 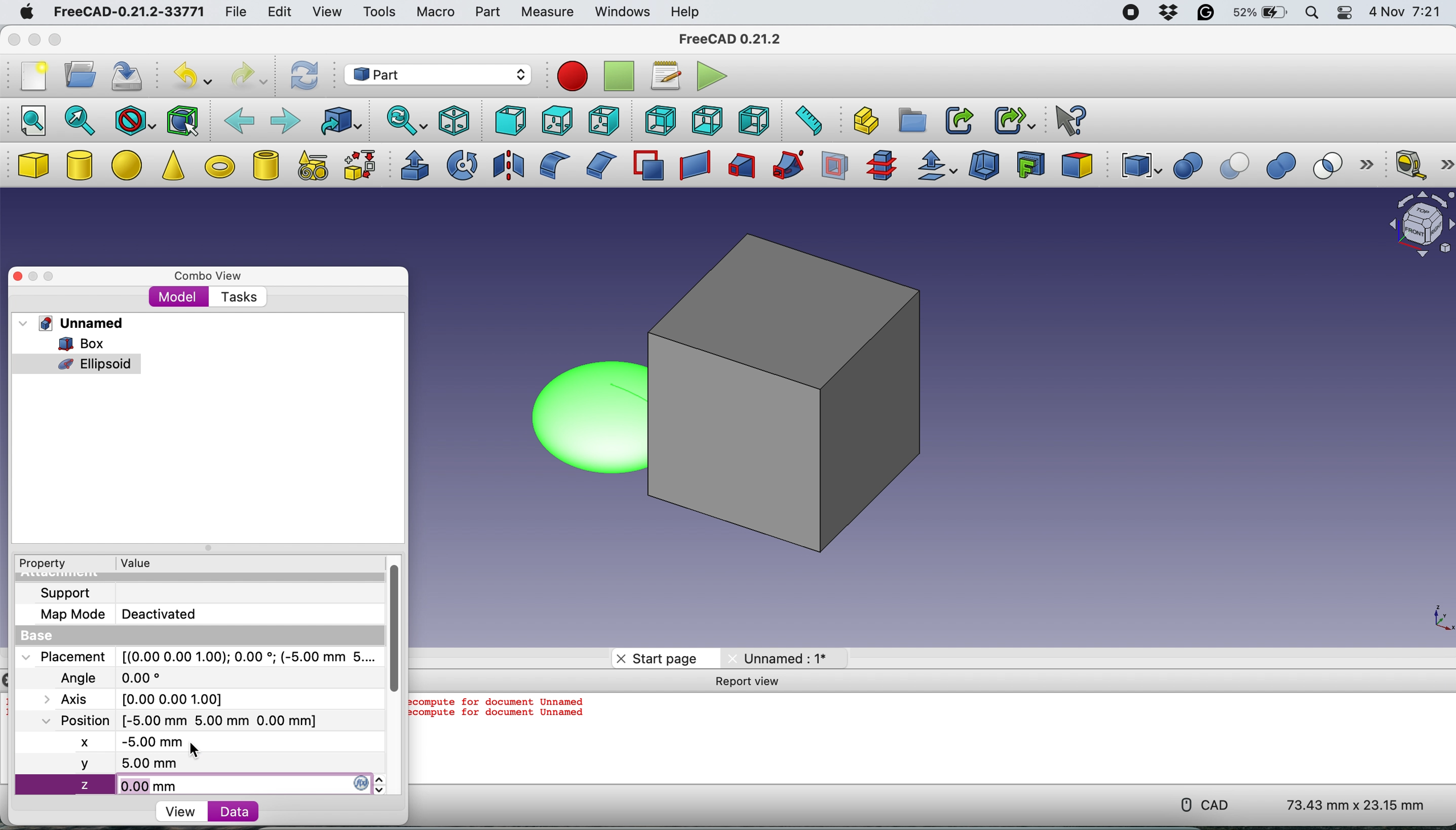 I want to click on fillet, so click(x=550, y=165).